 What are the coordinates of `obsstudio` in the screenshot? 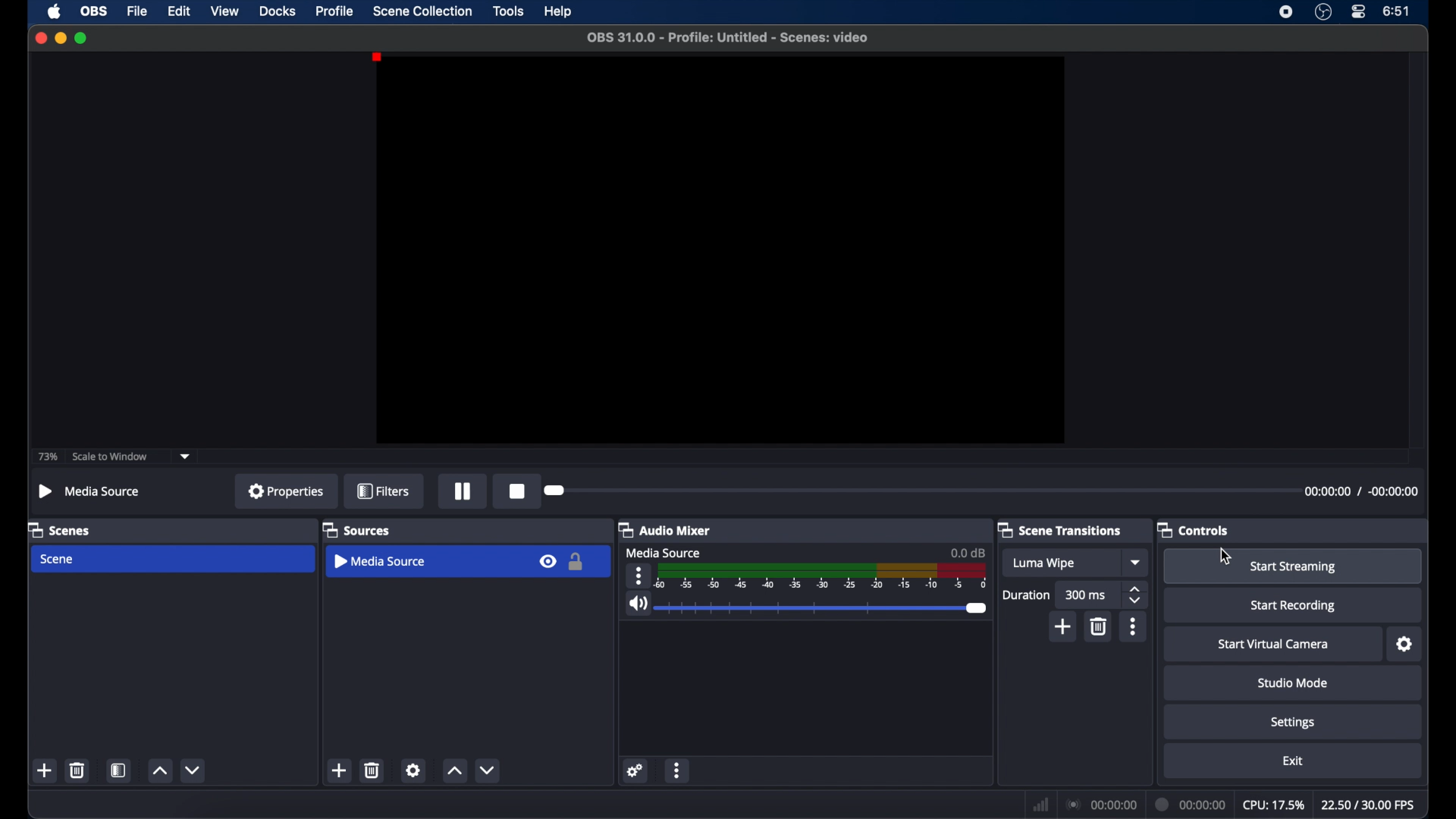 It's located at (1323, 12).